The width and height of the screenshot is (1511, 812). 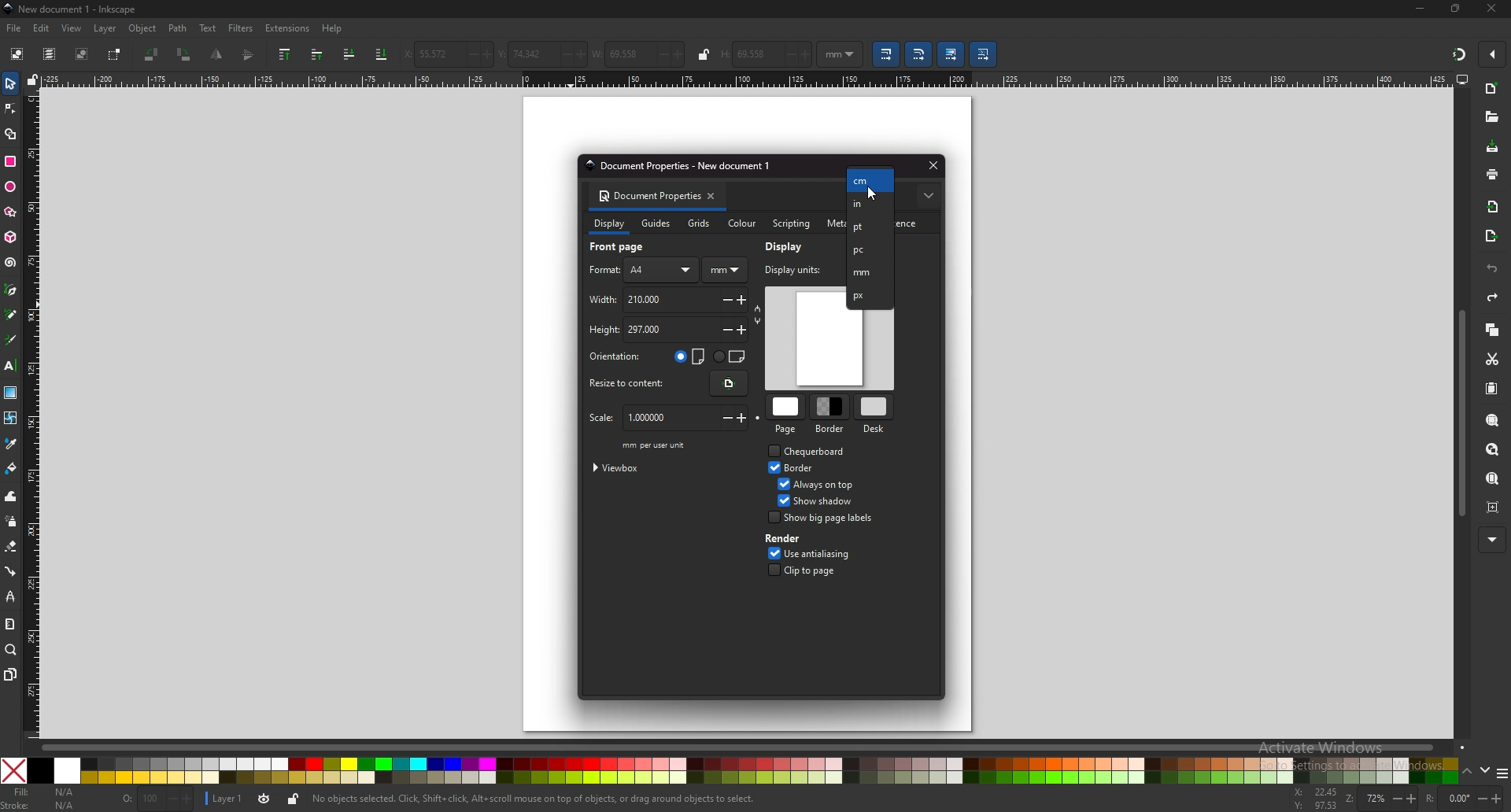 What do you see at coordinates (789, 246) in the screenshot?
I see `display` at bounding box center [789, 246].